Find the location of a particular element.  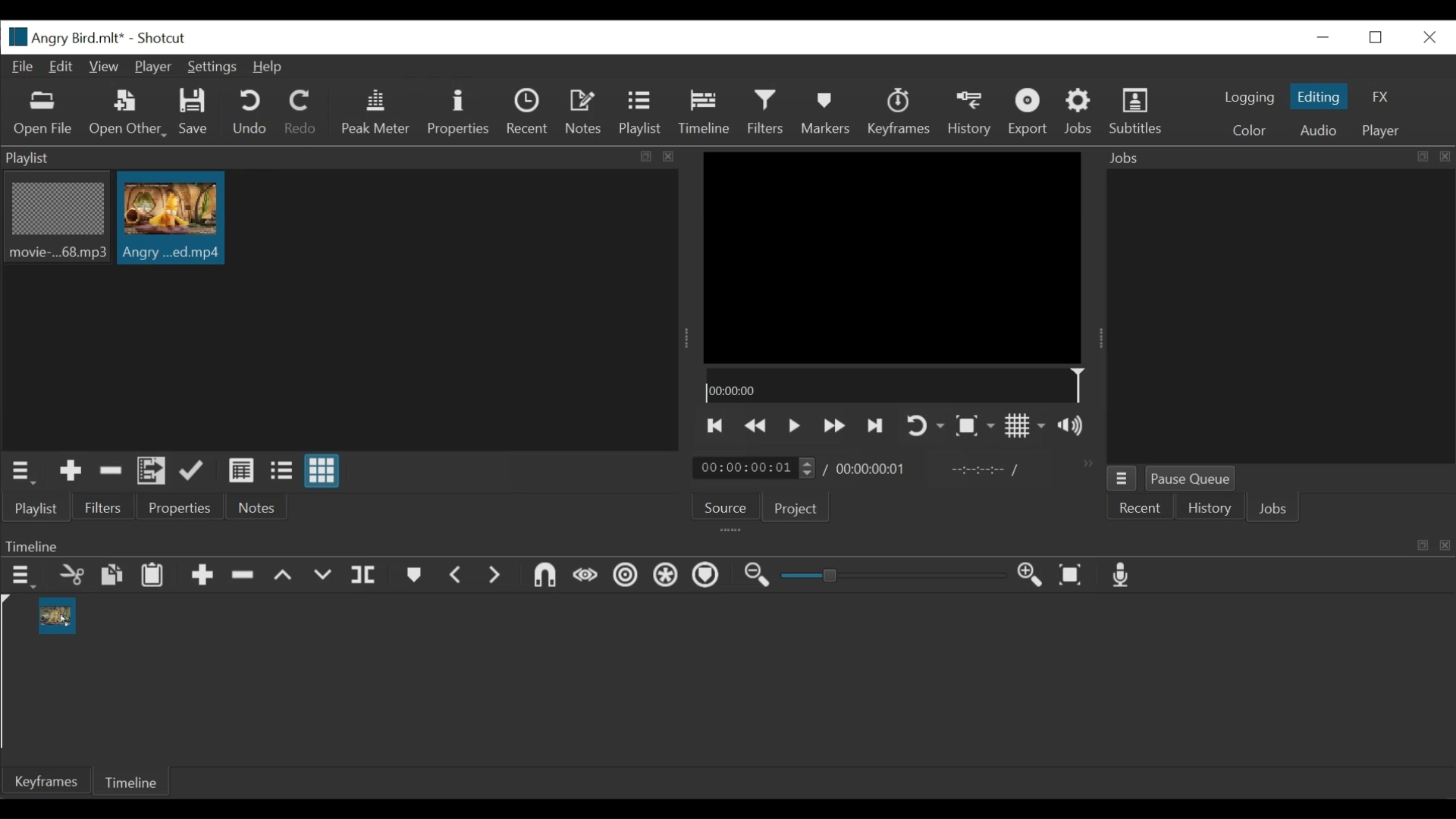

Keyframes is located at coordinates (899, 113).